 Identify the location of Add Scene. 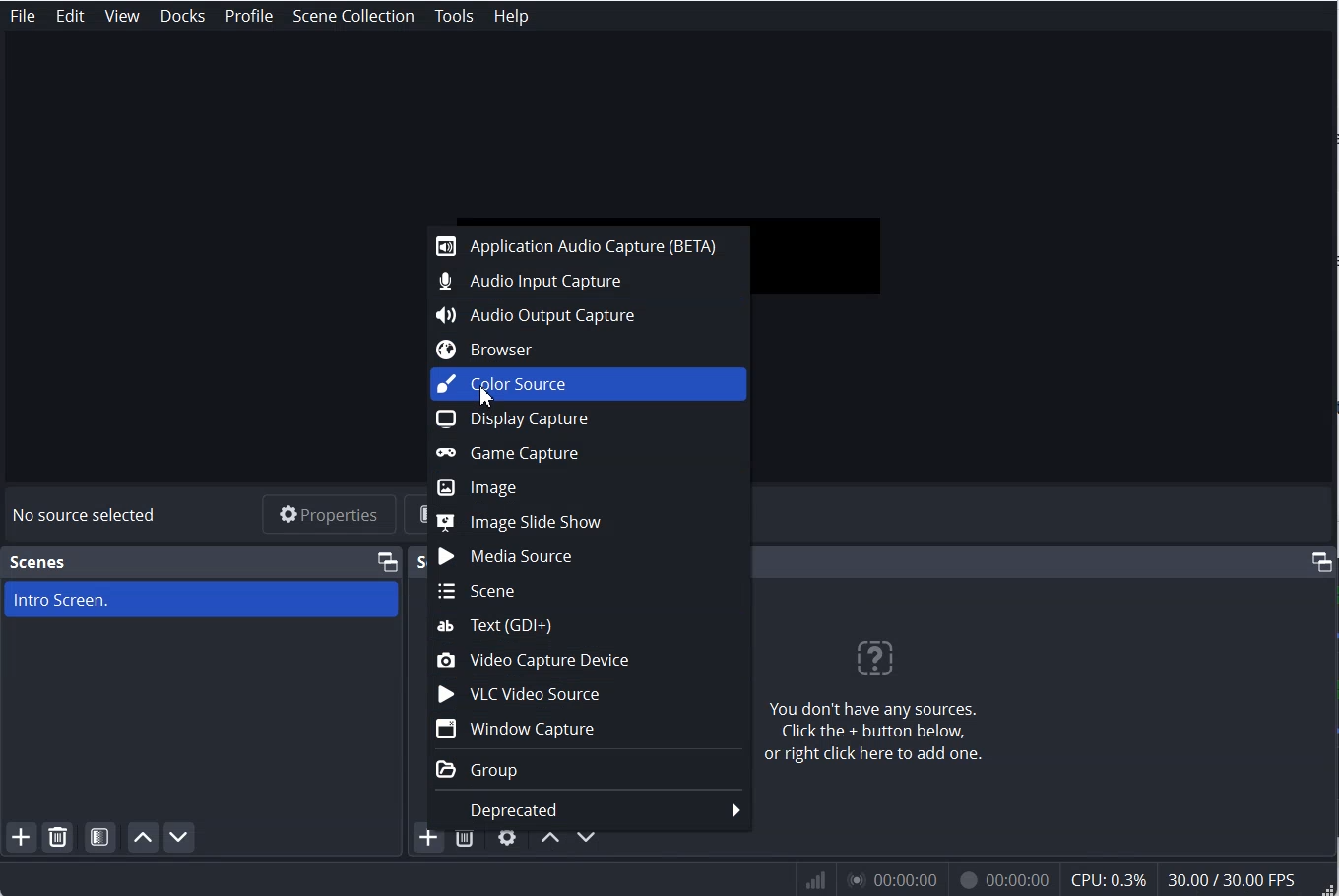
(21, 838).